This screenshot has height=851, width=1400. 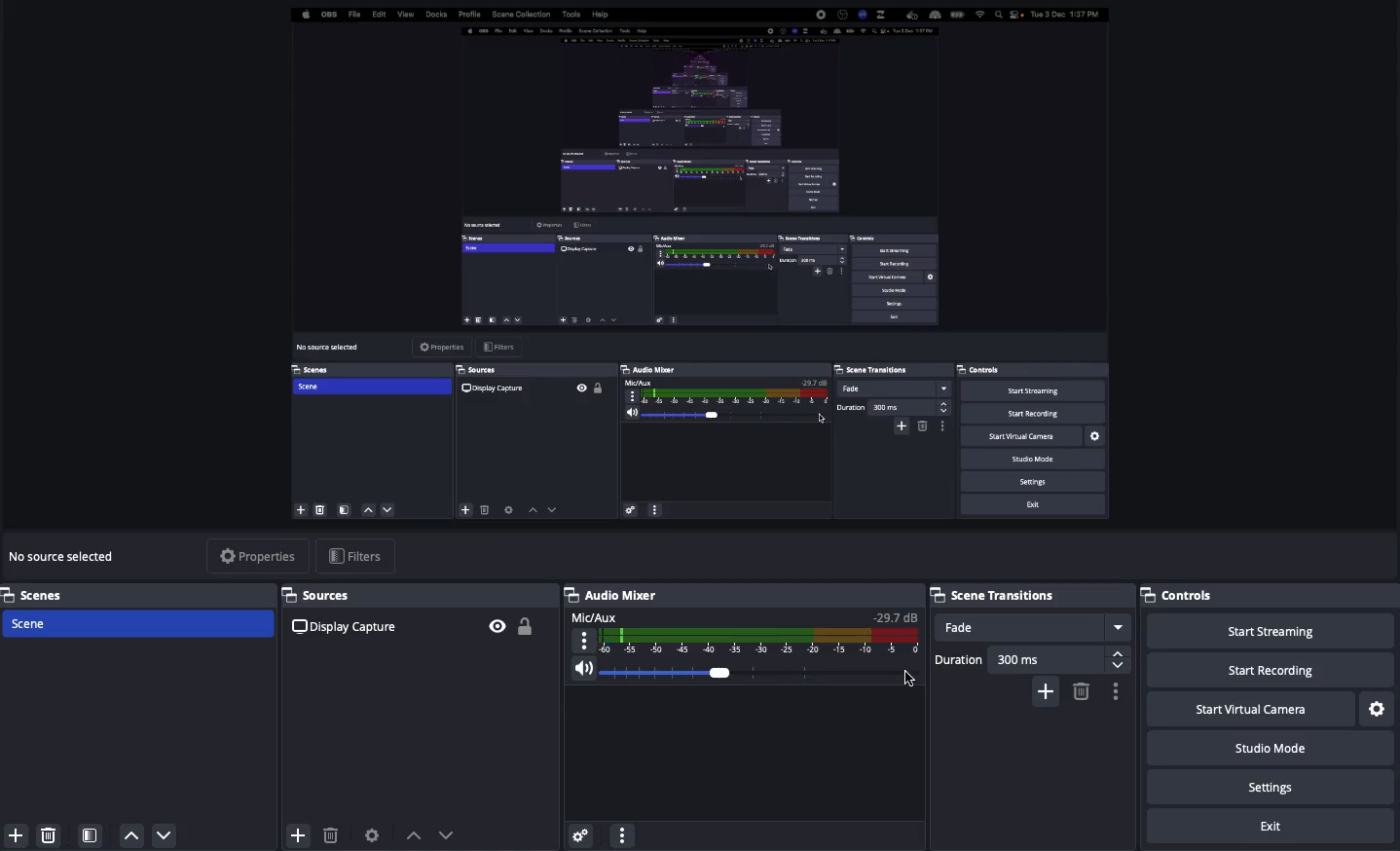 What do you see at coordinates (1117, 692) in the screenshot?
I see `Settings / options` at bounding box center [1117, 692].